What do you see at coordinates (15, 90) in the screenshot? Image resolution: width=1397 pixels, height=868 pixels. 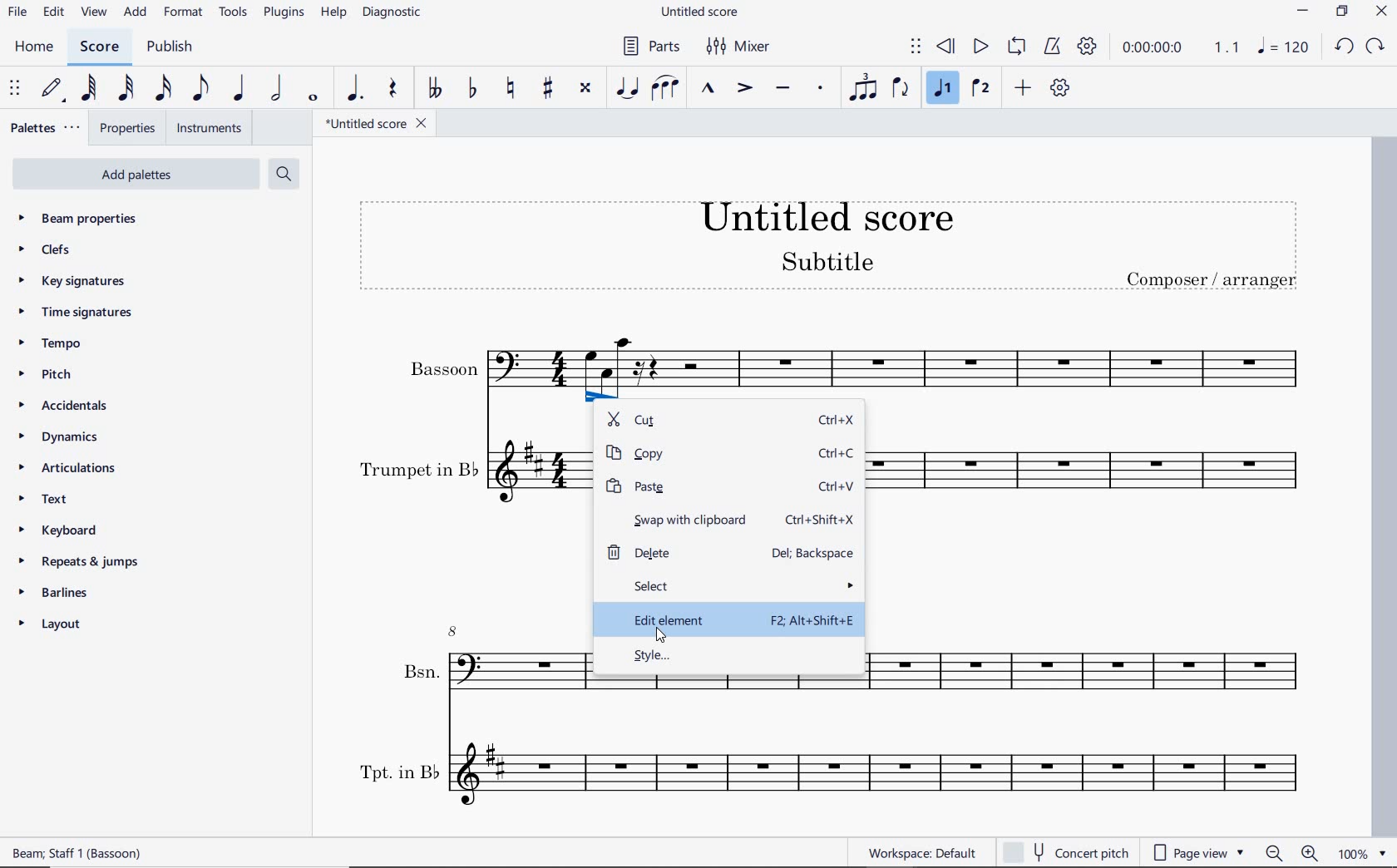 I see `select to move` at bounding box center [15, 90].